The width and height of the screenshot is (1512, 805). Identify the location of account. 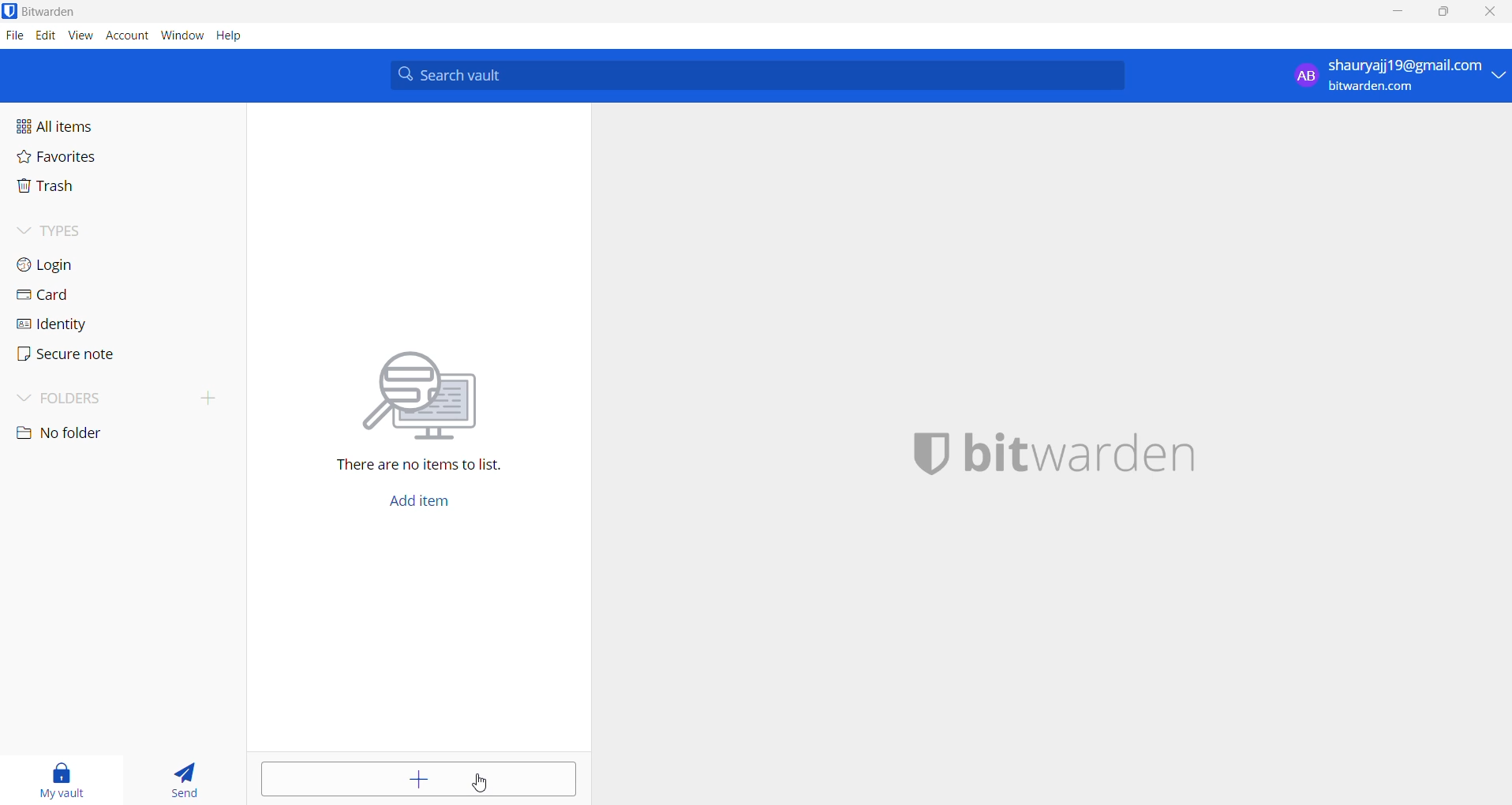
(128, 36).